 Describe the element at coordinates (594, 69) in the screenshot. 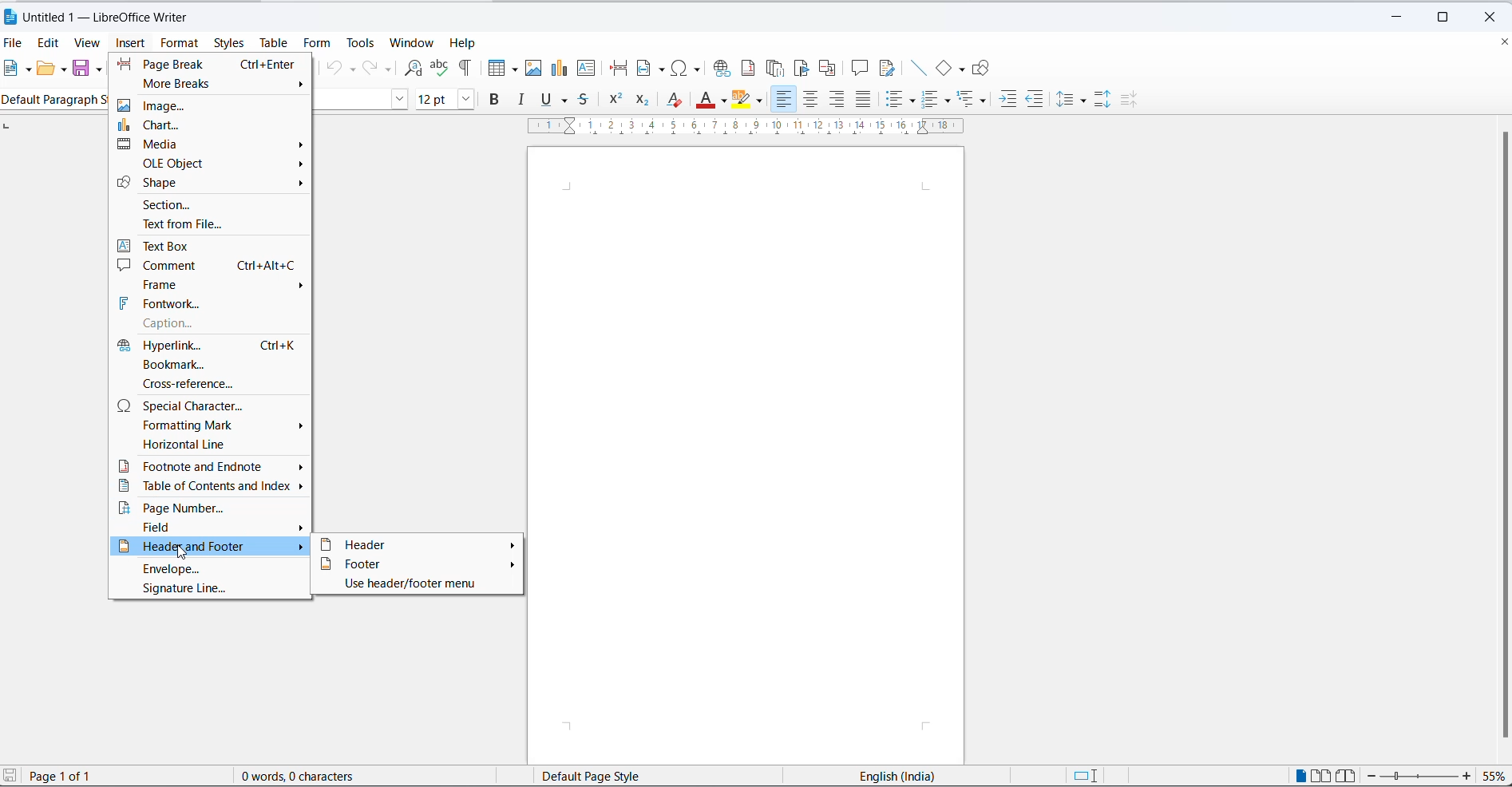

I see `insert text` at that location.